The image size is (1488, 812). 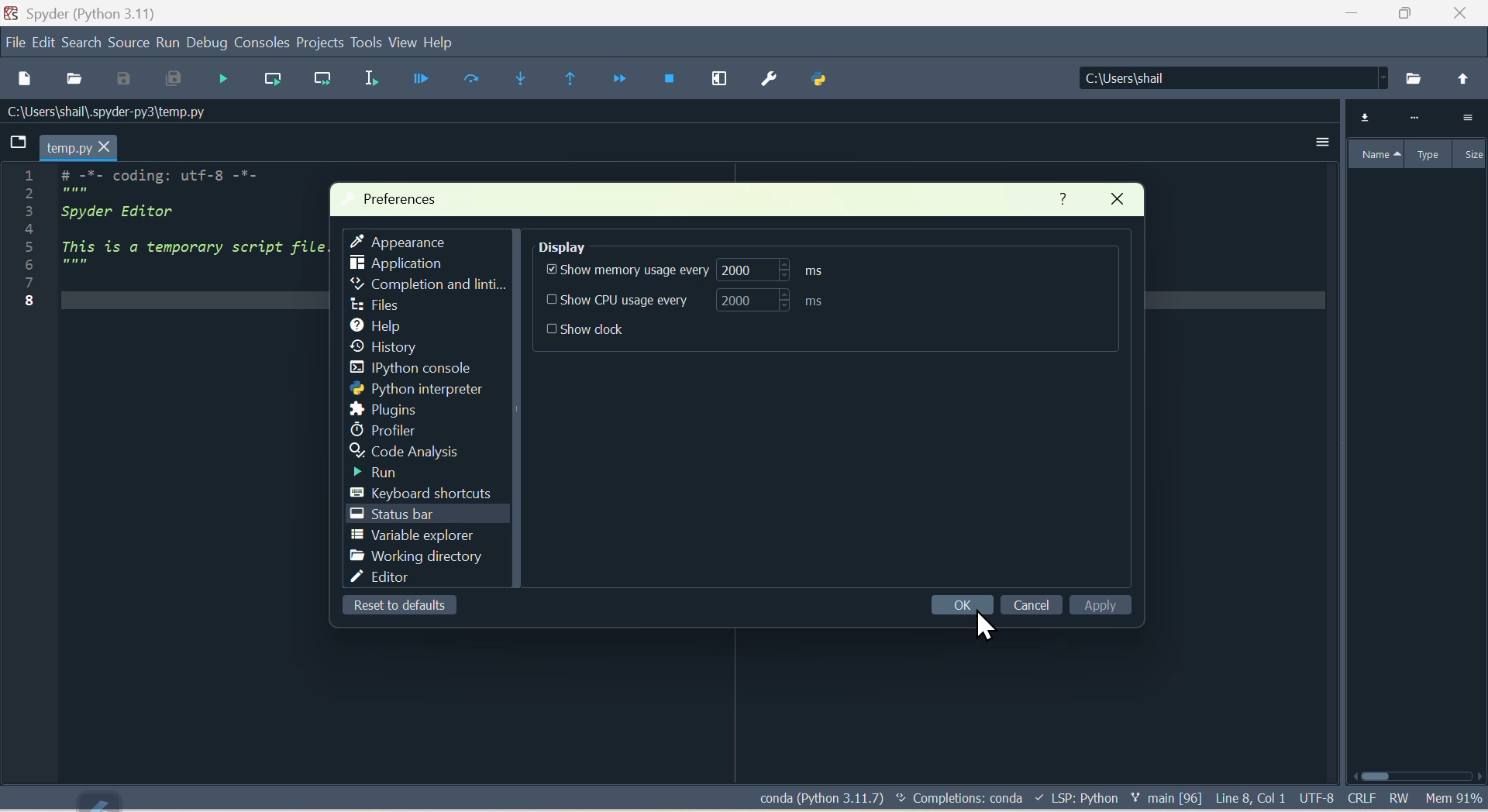 I want to click on Search from pc, so click(x=1415, y=78).